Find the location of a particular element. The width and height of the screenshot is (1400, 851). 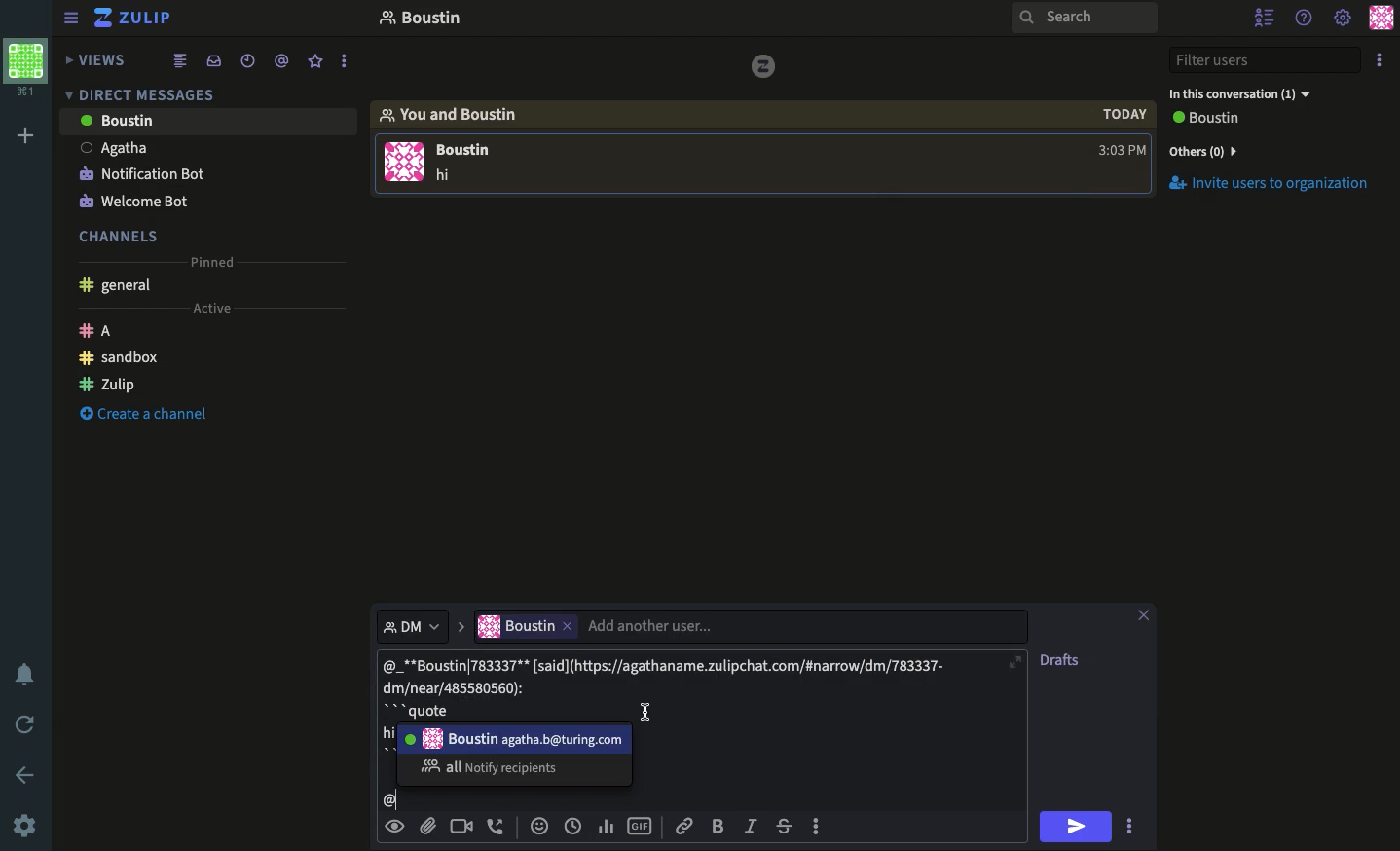

All is located at coordinates (494, 767).